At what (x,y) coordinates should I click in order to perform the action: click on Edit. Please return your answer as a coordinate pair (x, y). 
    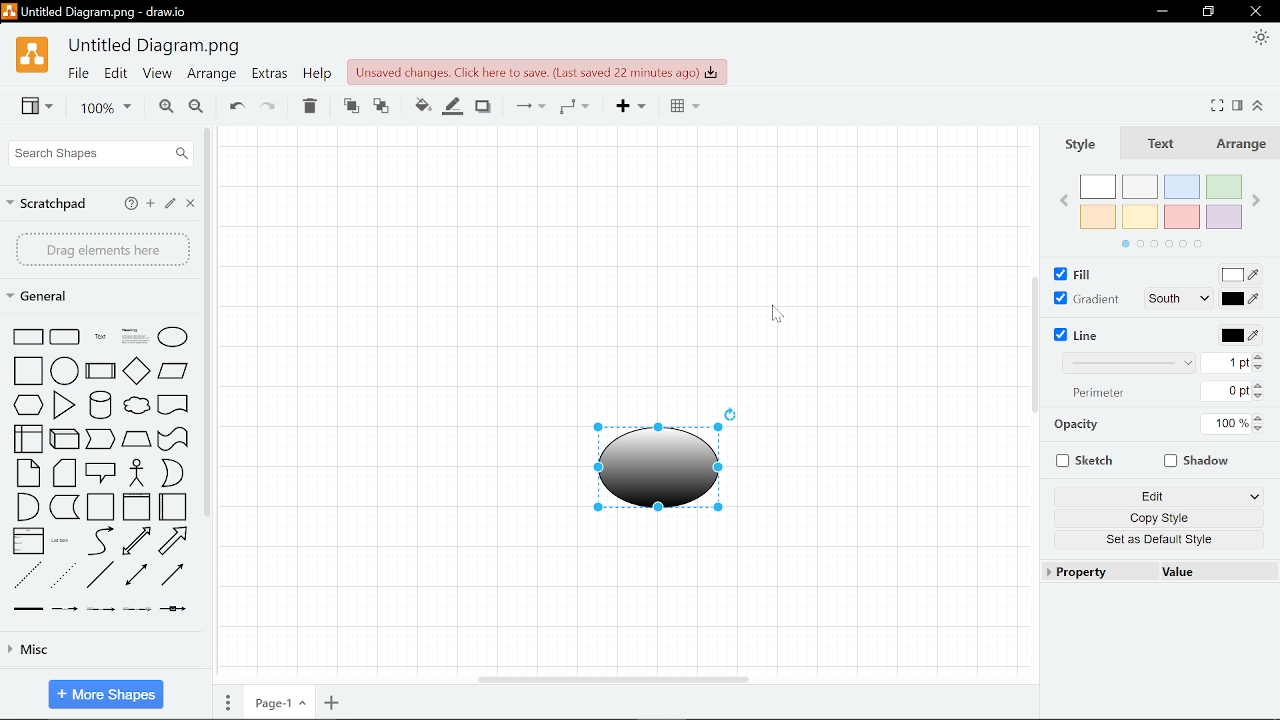
    Looking at the image, I should click on (168, 204).